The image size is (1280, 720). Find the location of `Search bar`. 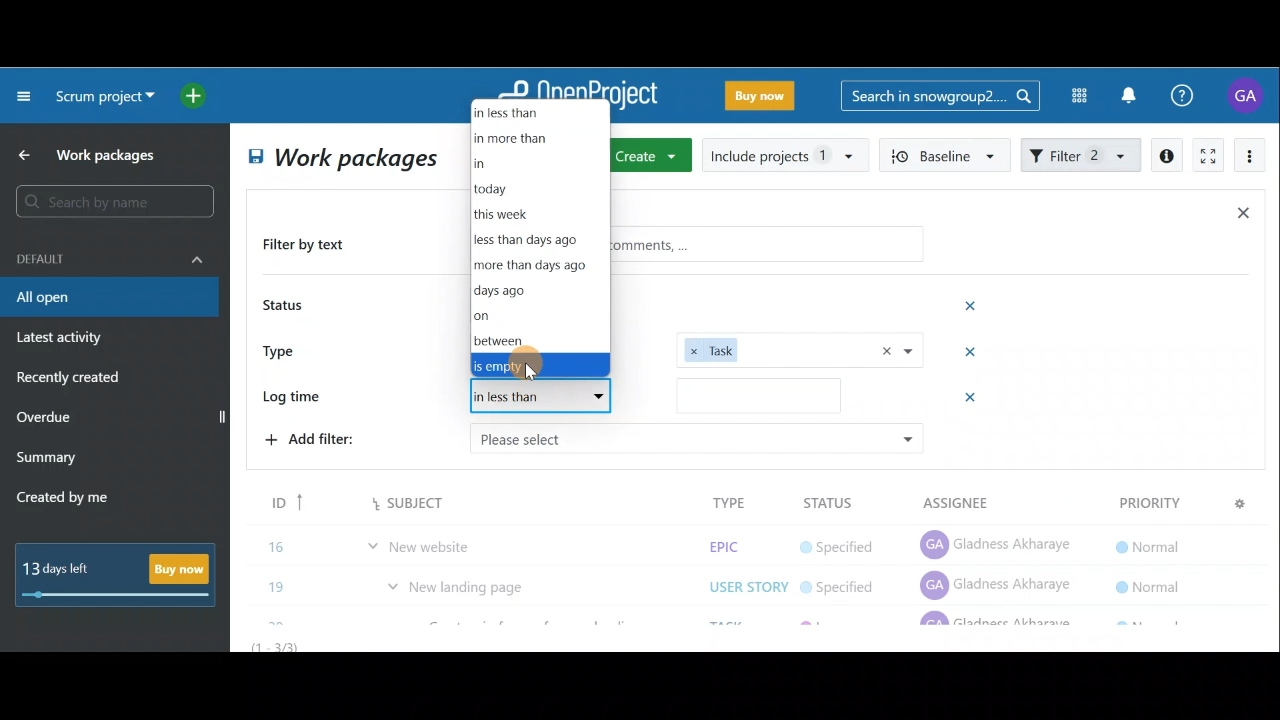

Search bar is located at coordinates (940, 94).